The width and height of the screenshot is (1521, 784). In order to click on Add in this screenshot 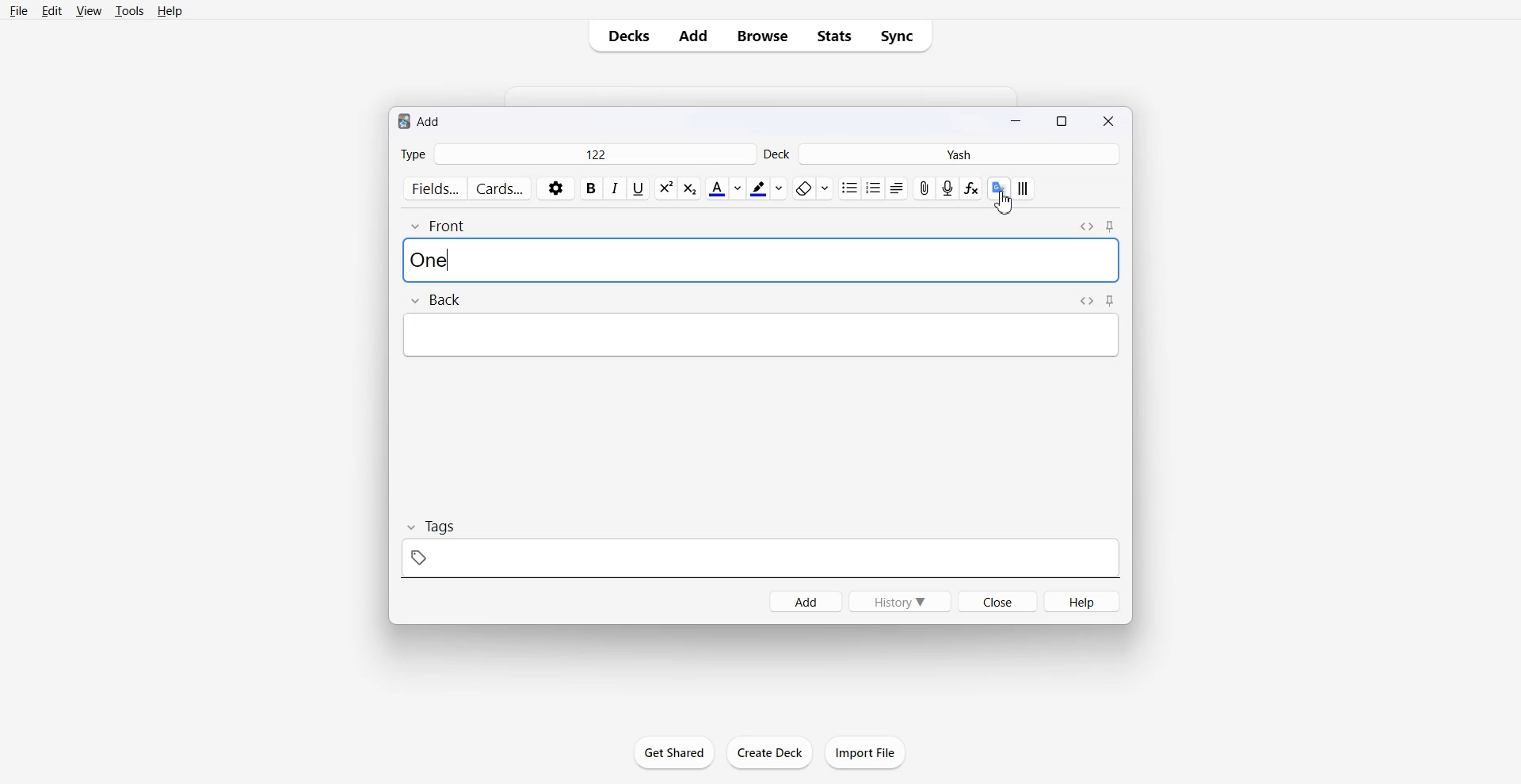, I will do `click(693, 36)`.